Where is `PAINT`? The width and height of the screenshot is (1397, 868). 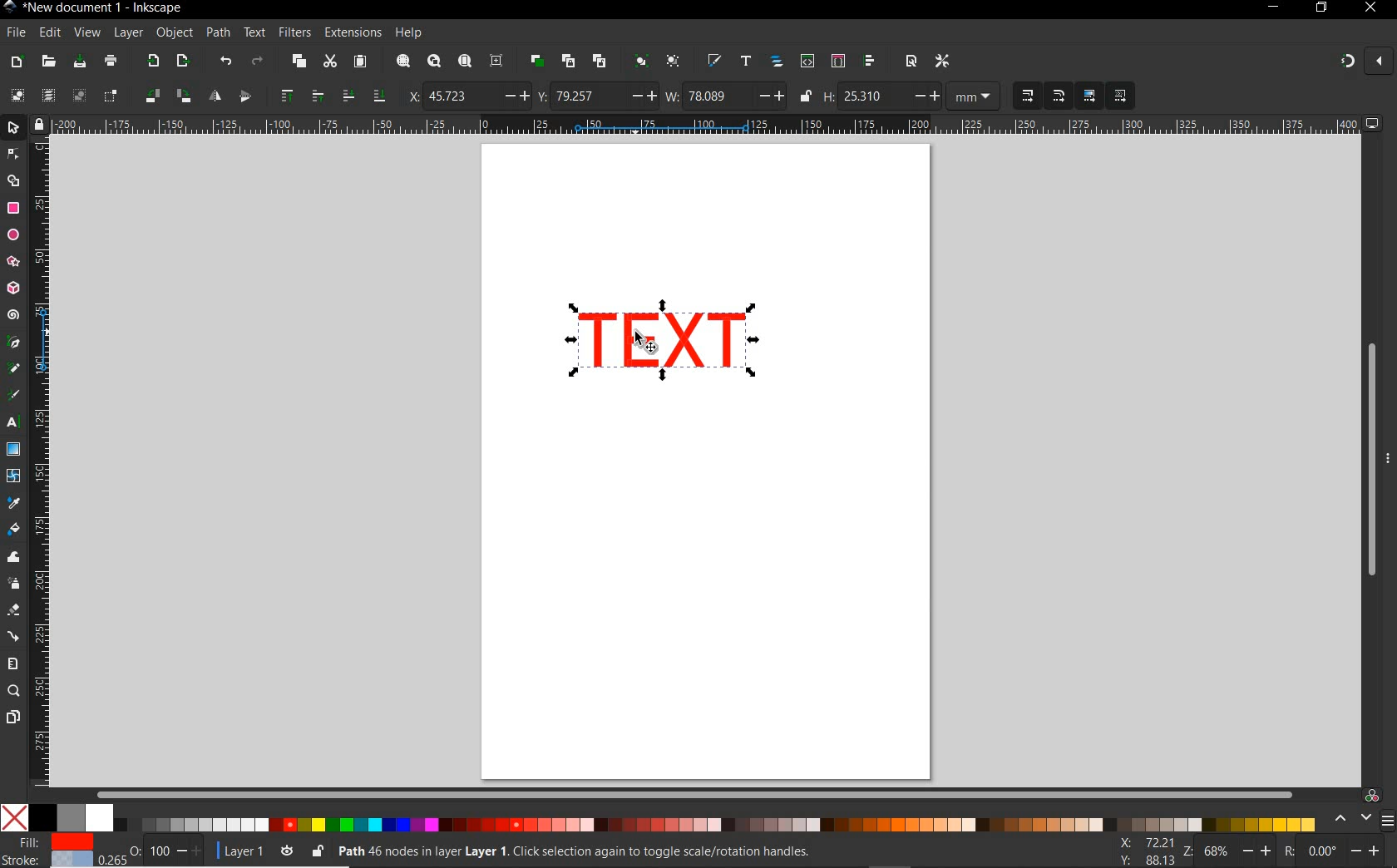
PAINT is located at coordinates (111, 63).